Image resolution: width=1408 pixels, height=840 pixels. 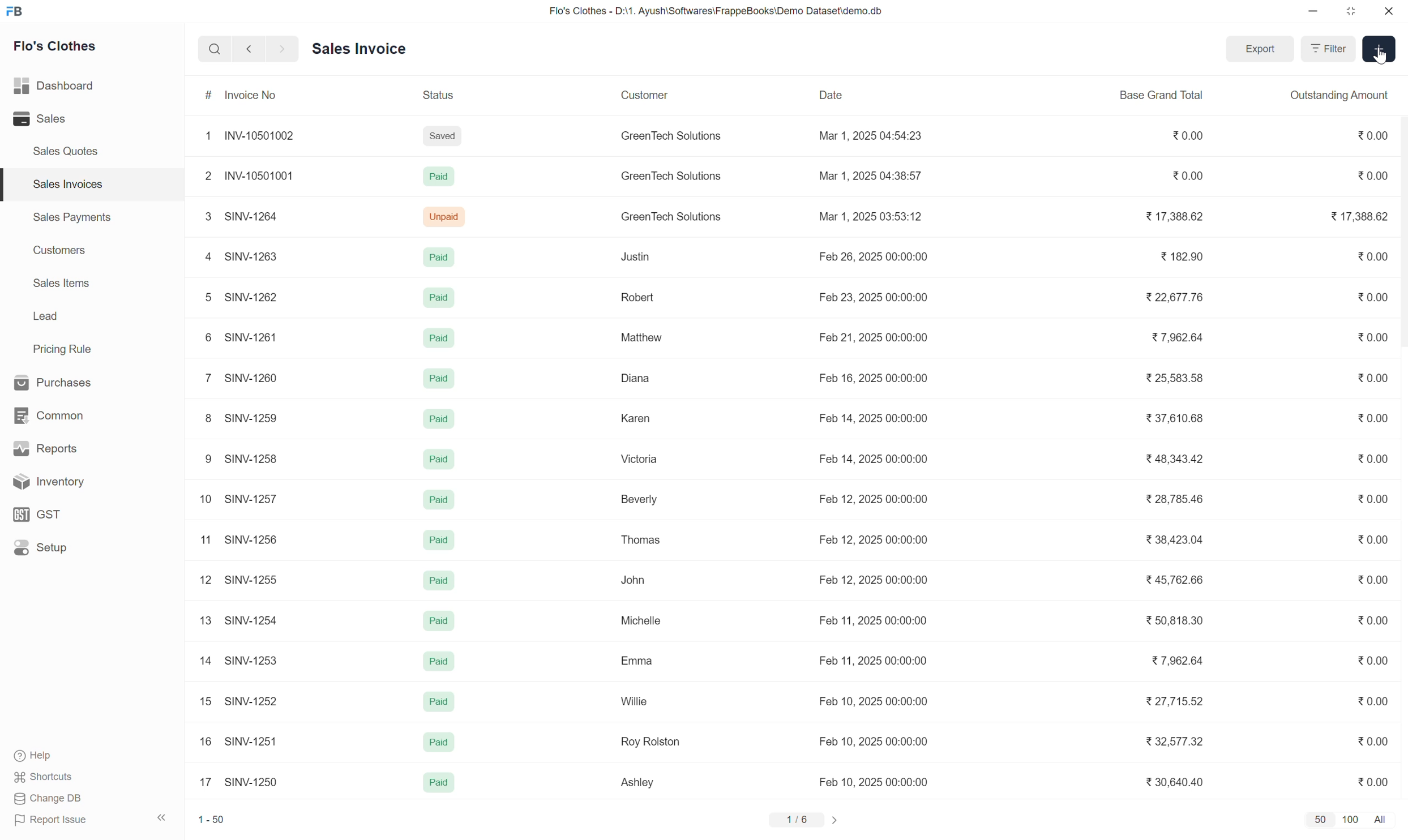 I want to click on ₹ 0.00, so click(x=1371, y=299).